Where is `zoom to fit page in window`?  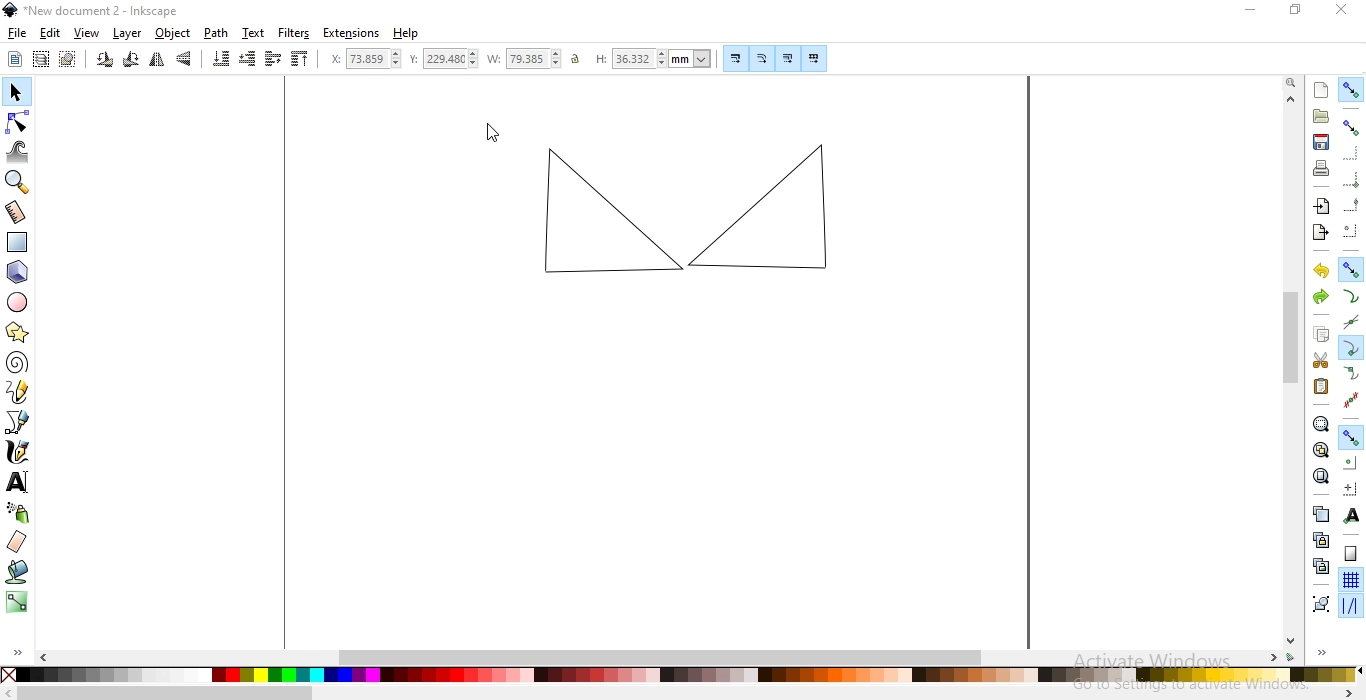 zoom to fit page in window is located at coordinates (1321, 475).